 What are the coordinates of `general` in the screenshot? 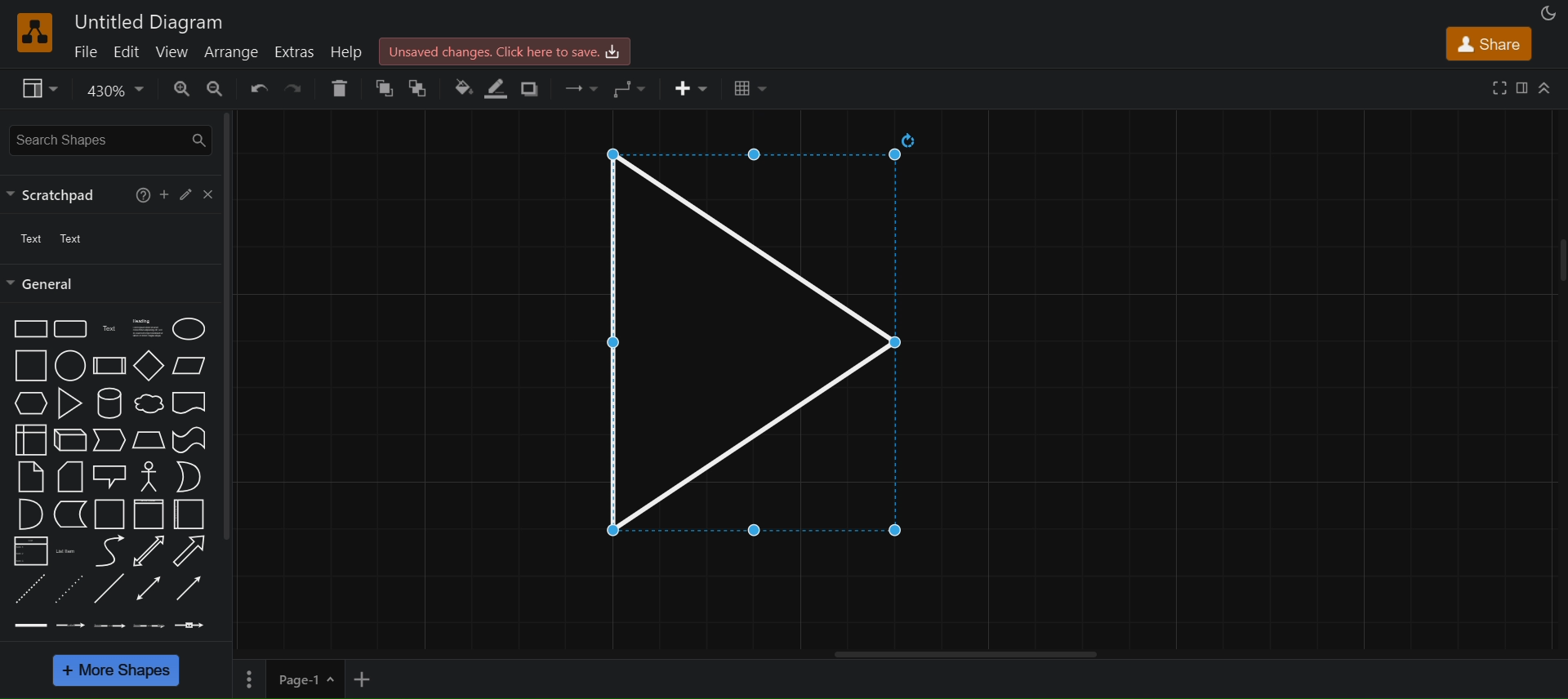 It's located at (45, 284).